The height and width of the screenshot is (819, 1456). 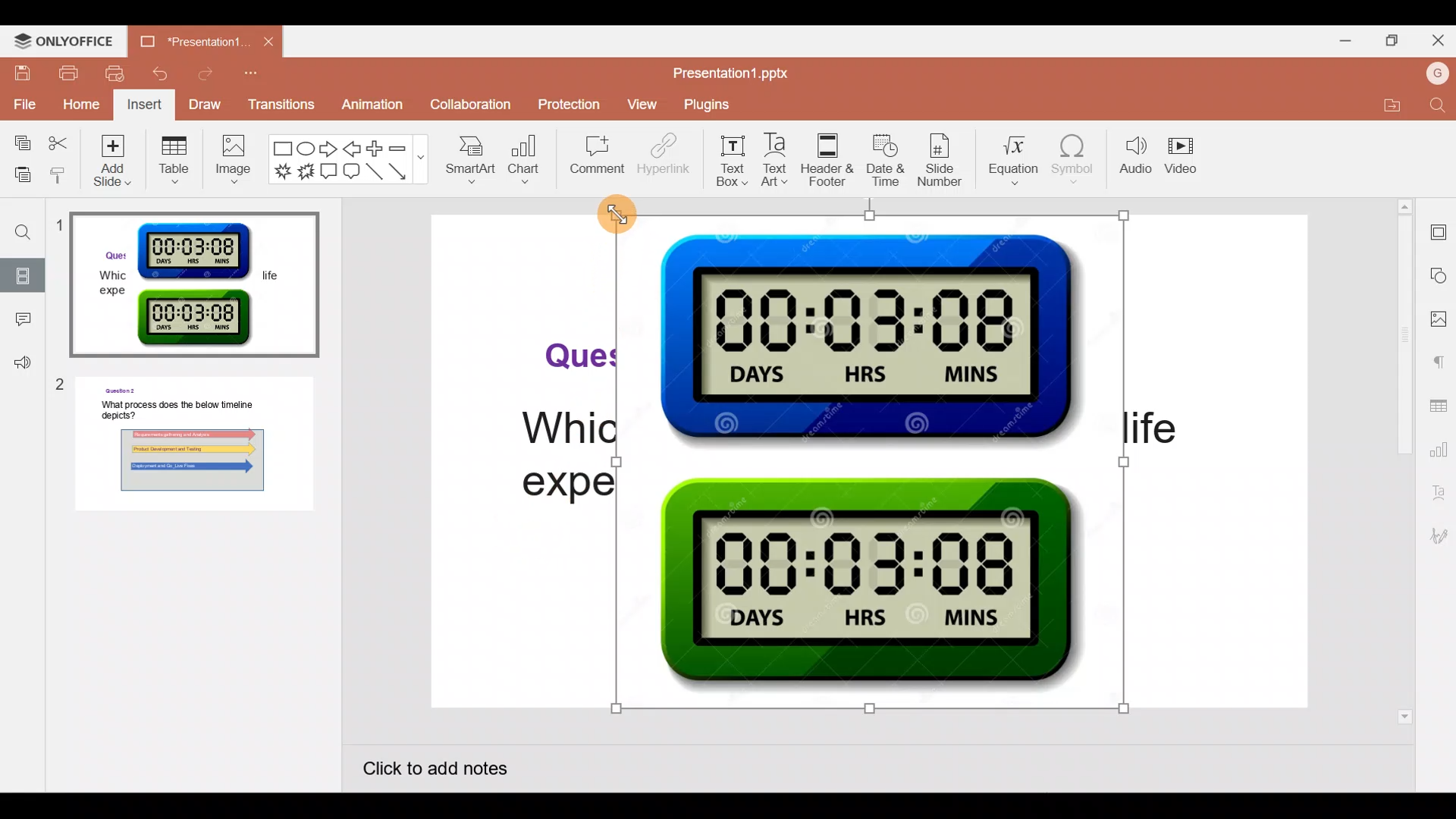 What do you see at coordinates (1015, 160) in the screenshot?
I see `Equation` at bounding box center [1015, 160].